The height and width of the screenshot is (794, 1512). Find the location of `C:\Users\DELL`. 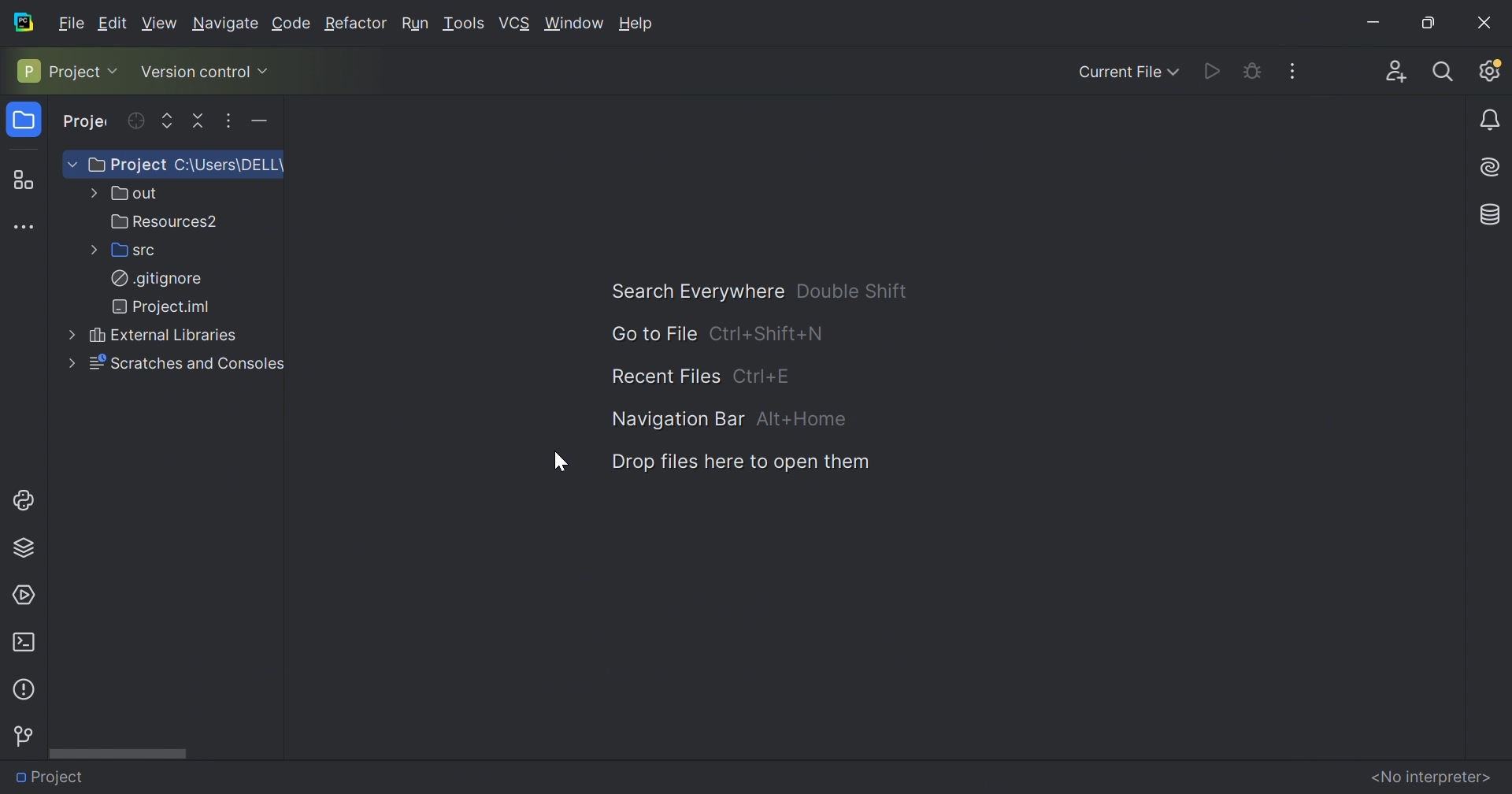

C:\Users\DELL is located at coordinates (230, 164).